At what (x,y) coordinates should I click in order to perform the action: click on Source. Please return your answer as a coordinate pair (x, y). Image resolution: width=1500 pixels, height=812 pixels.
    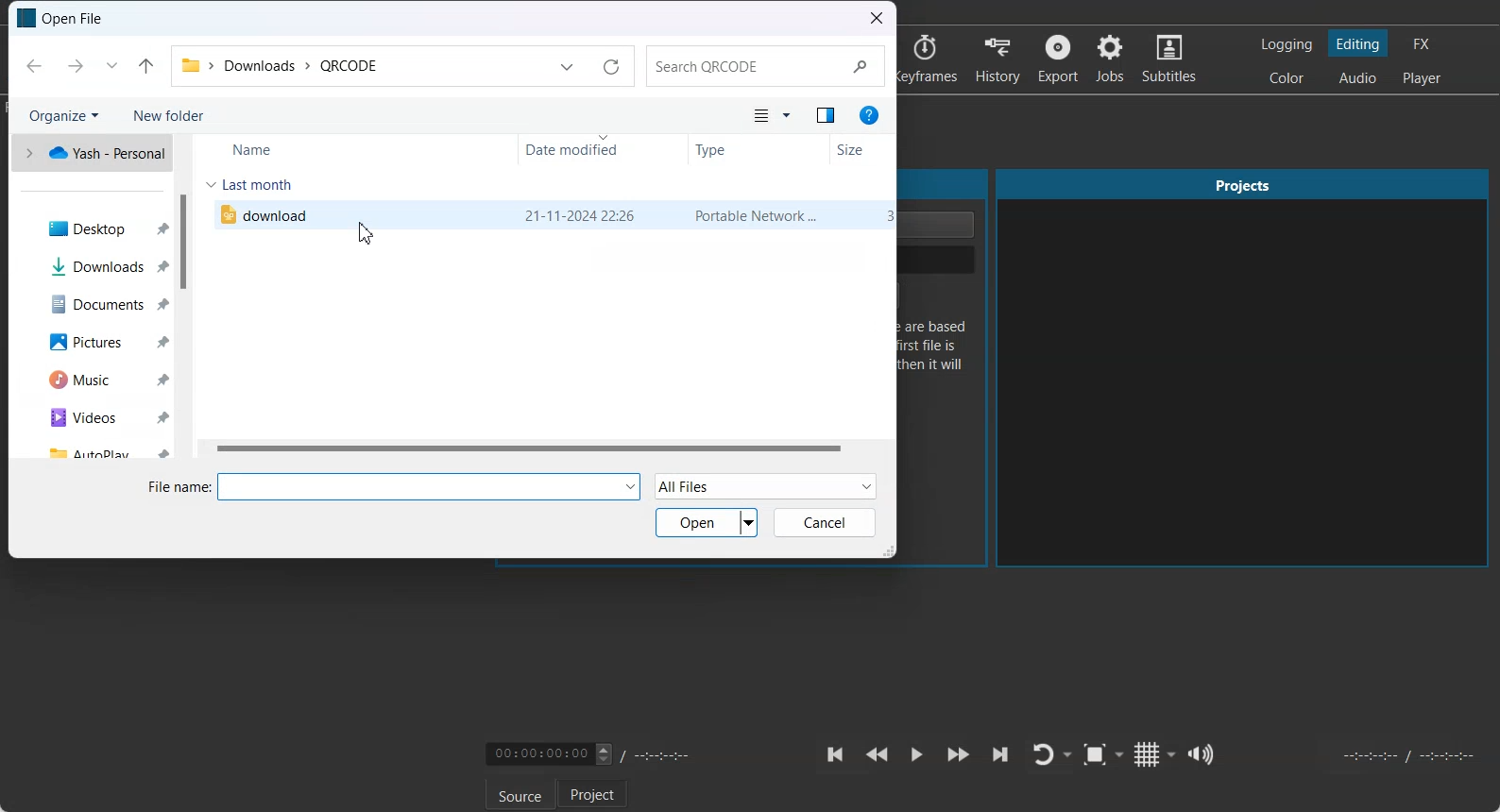
    Looking at the image, I should click on (516, 795).